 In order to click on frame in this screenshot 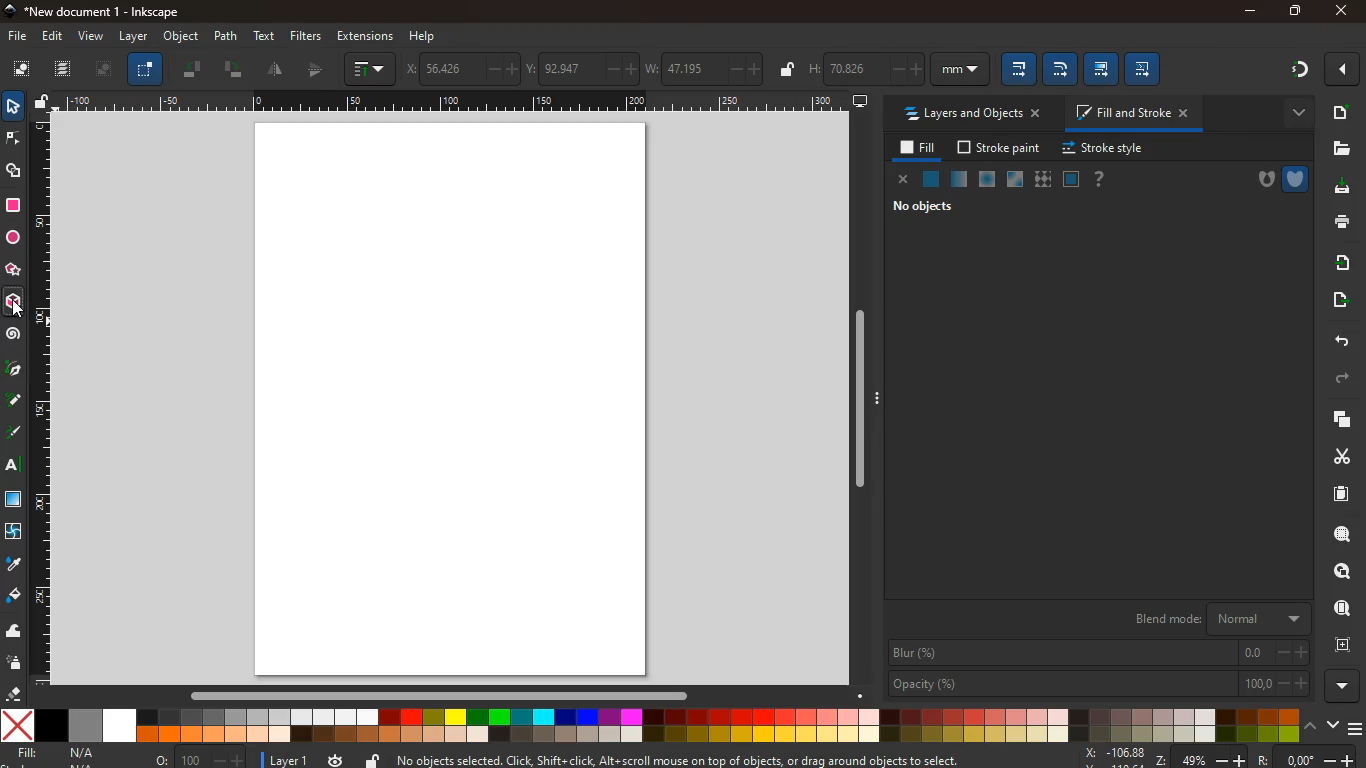, I will do `click(1342, 645)`.